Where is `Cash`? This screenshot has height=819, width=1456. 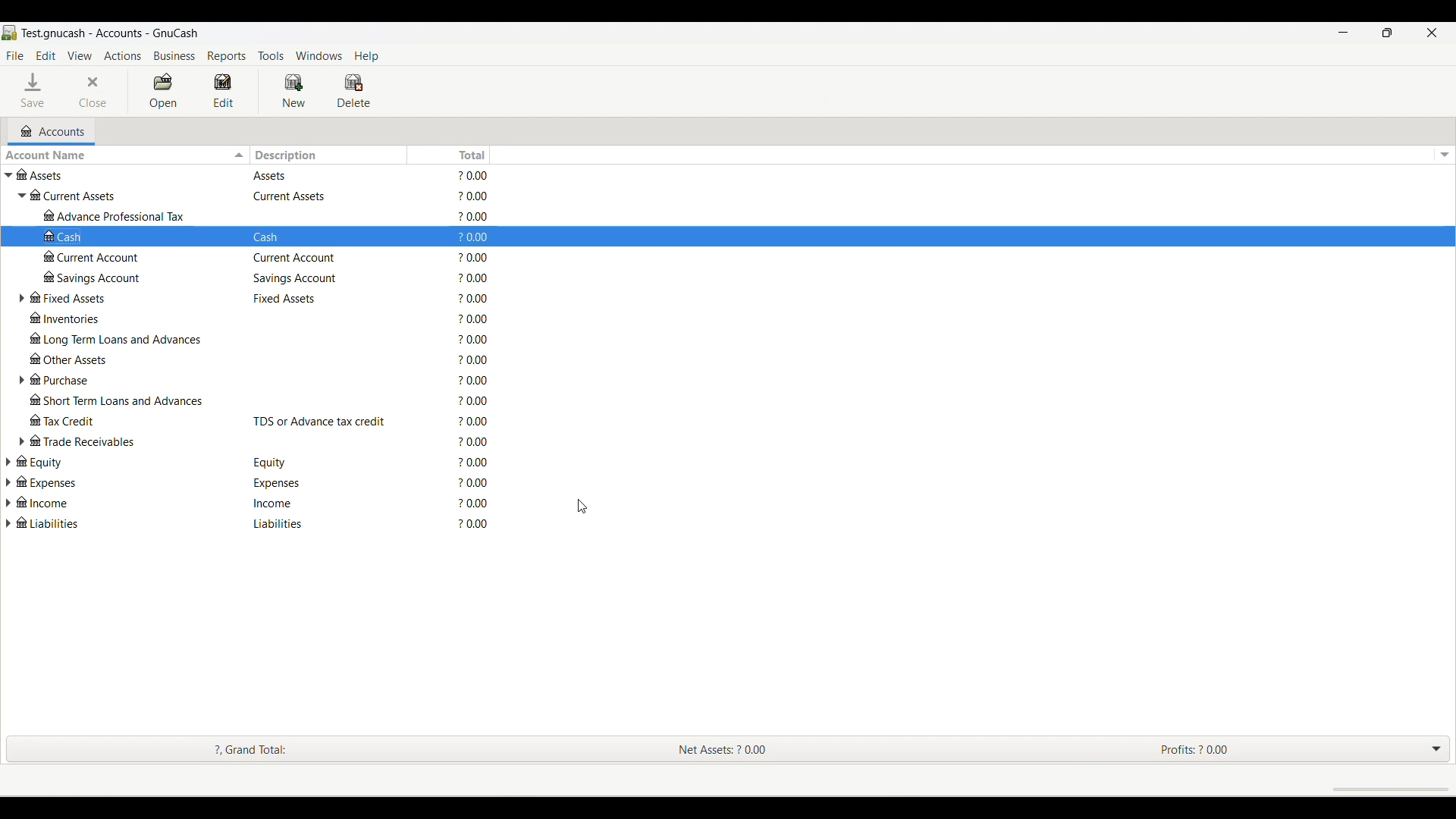 Cash is located at coordinates (135, 237).